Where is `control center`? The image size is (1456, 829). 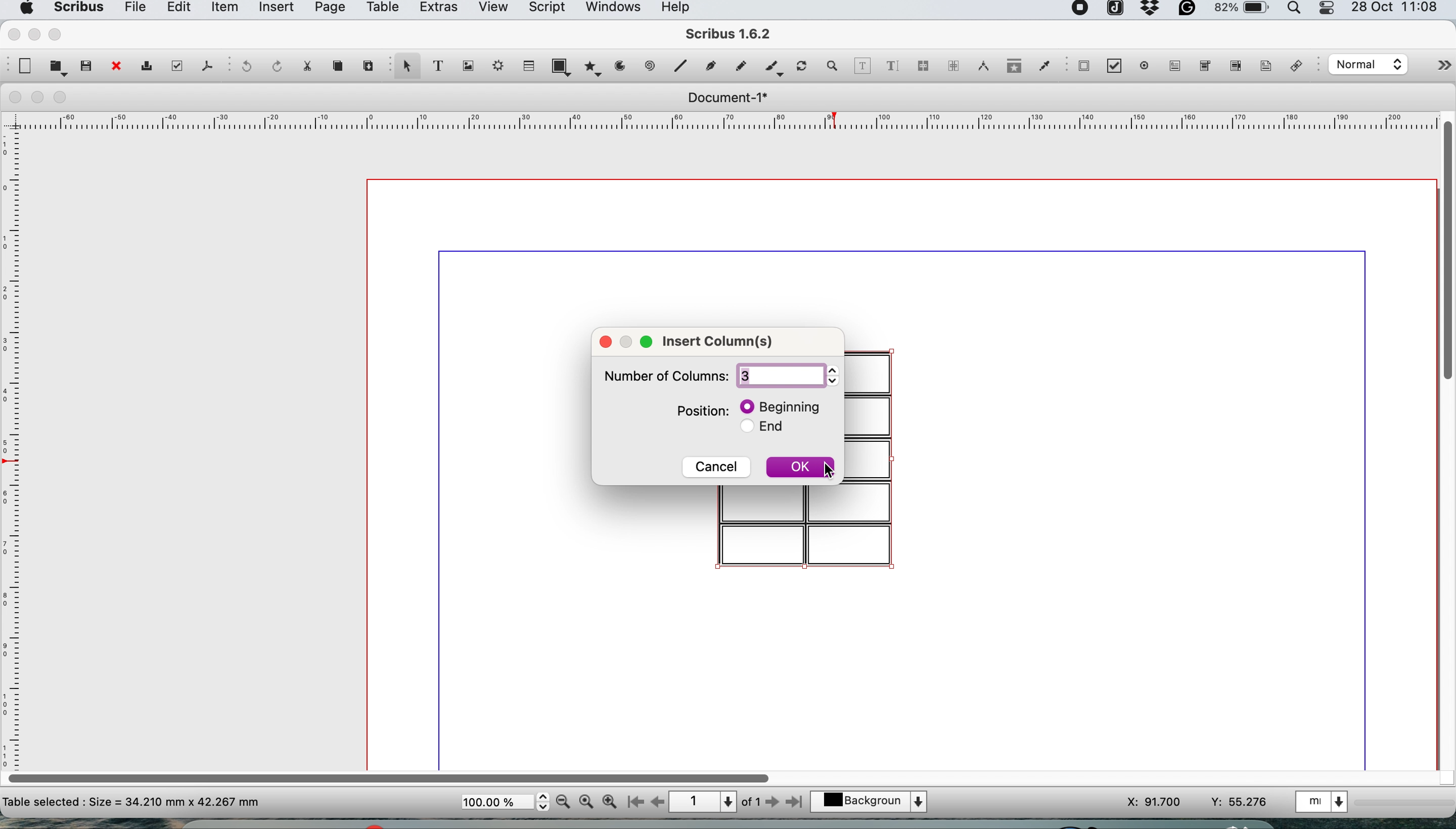
control center is located at coordinates (1328, 9).